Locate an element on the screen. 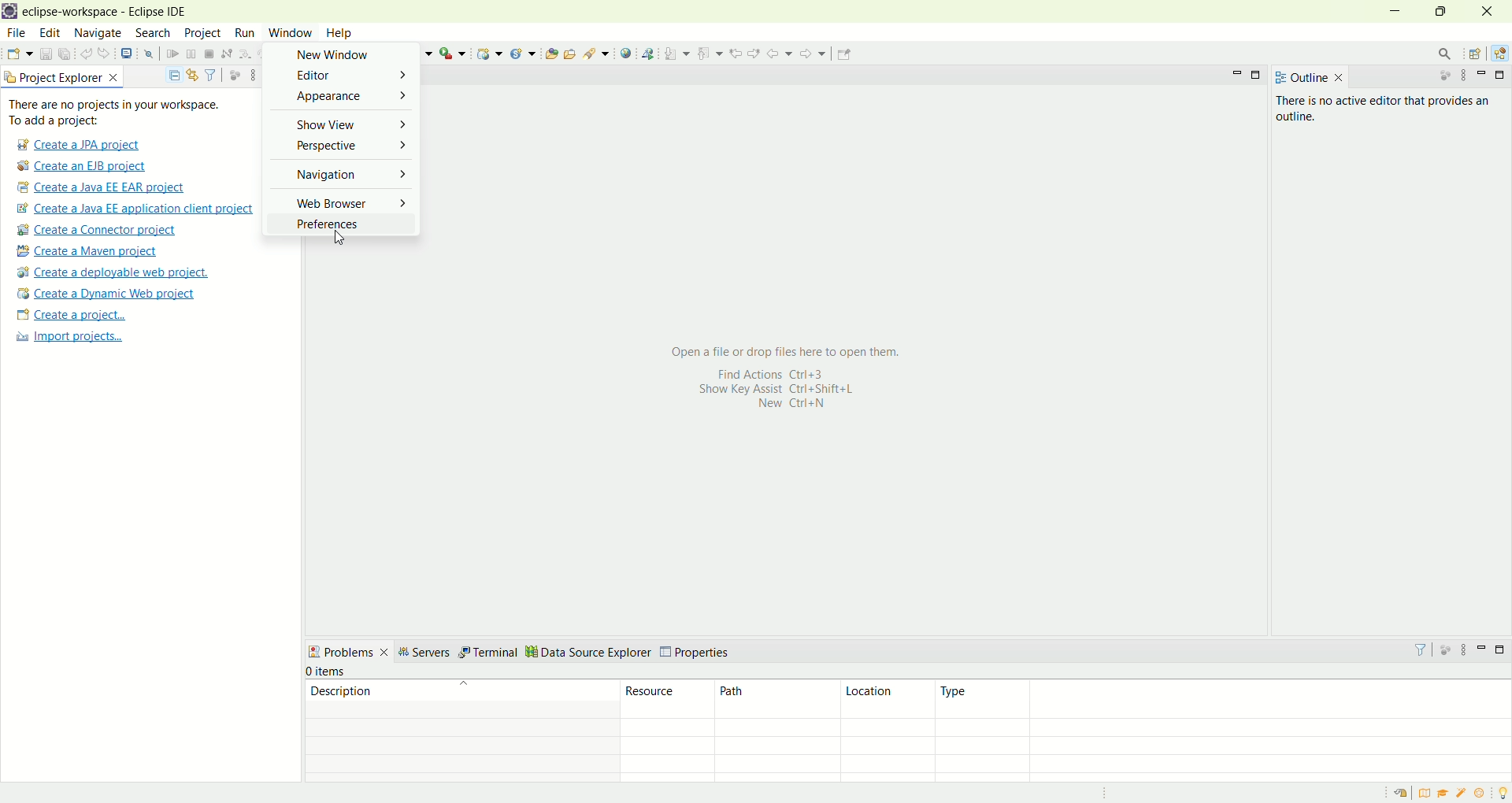 The height and width of the screenshot is (803, 1512). create a new Java servlet is located at coordinates (527, 54).